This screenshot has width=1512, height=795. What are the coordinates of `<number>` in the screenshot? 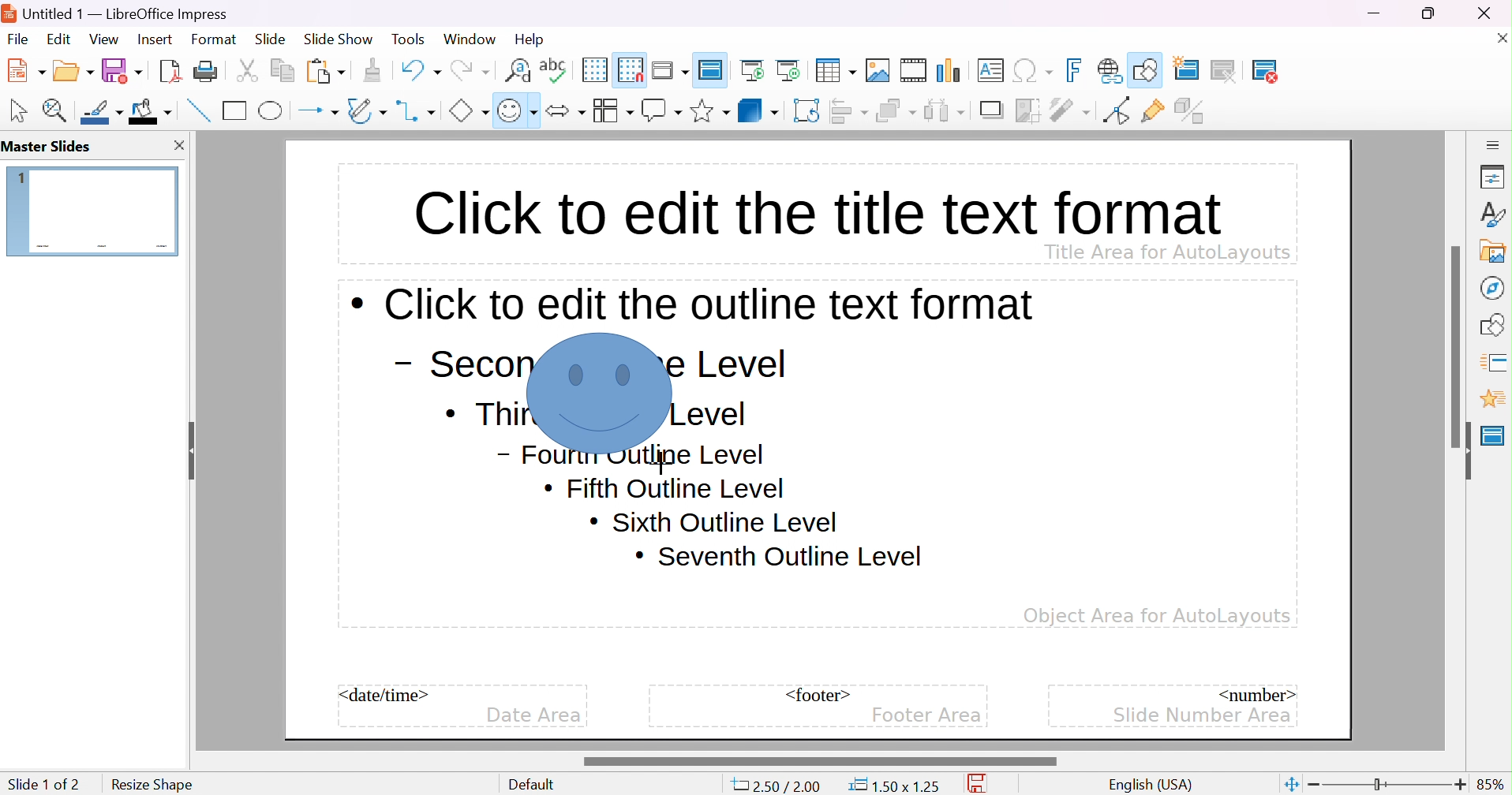 It's located at (1255, 693).